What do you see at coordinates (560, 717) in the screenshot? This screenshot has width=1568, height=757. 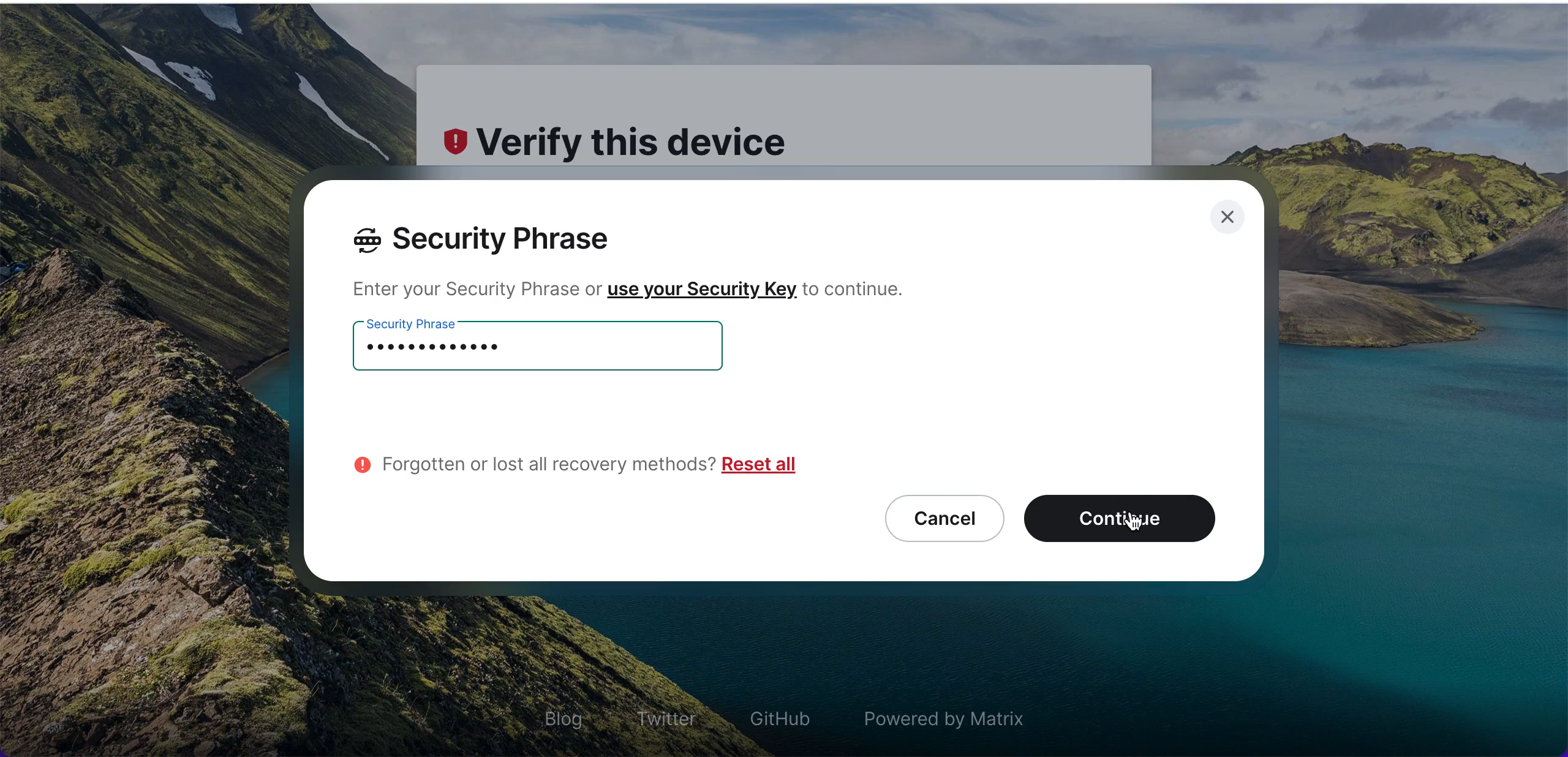 I see `blog` at bounding box center [560, 717].